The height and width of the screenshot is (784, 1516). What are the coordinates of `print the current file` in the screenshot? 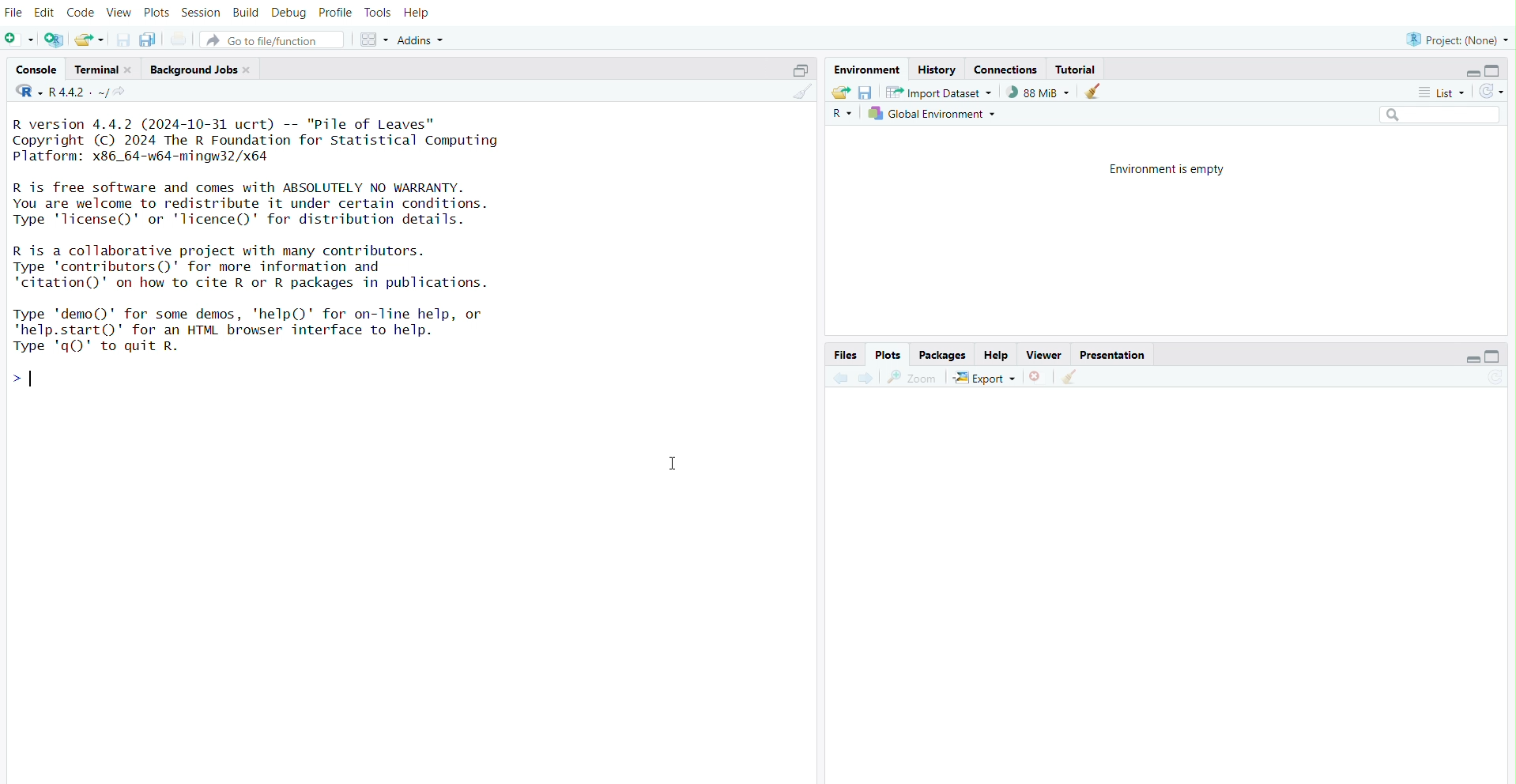 It's located at (181, 38).